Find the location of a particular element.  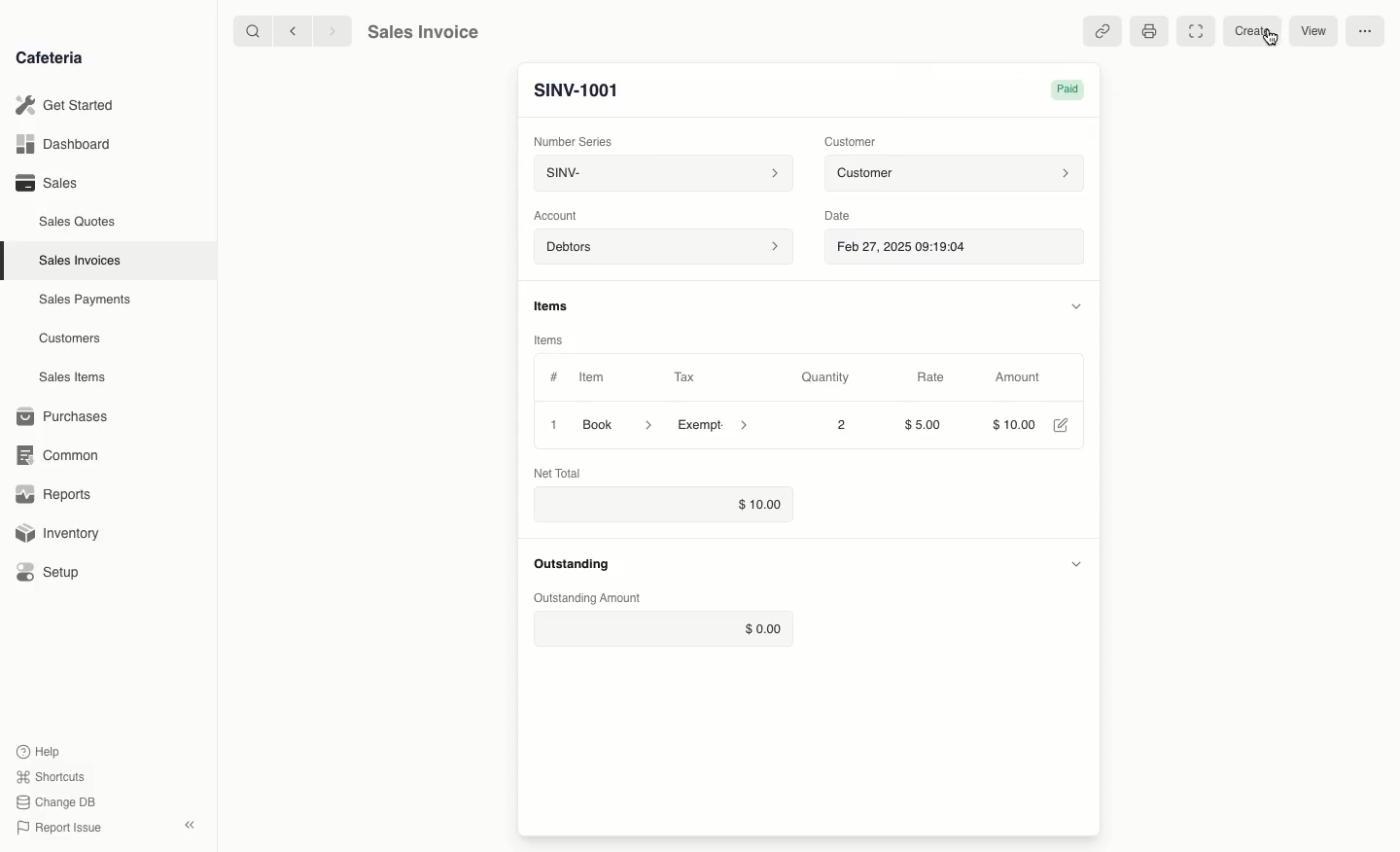

Help is located at coordinates (40, 749).